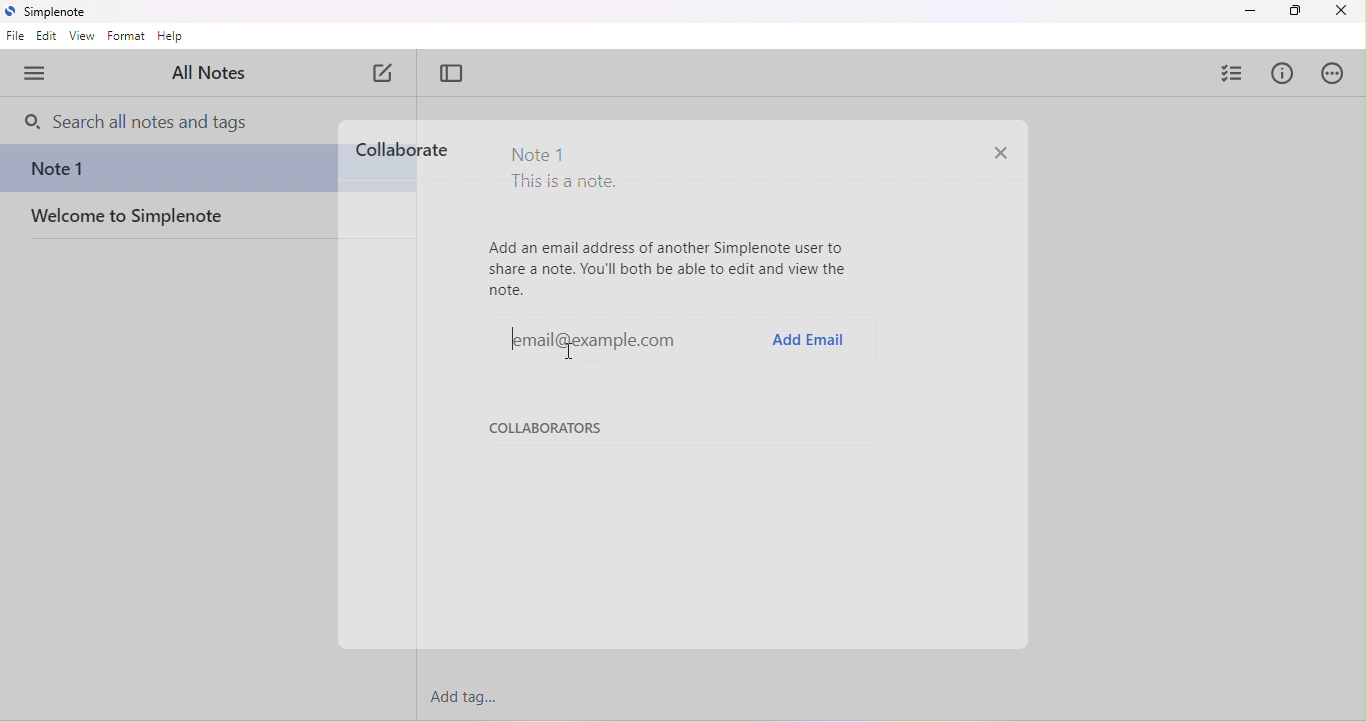  Describe the element at coordinates (452, 74) in the screenshot. I see `toggle focus mode` at that location.